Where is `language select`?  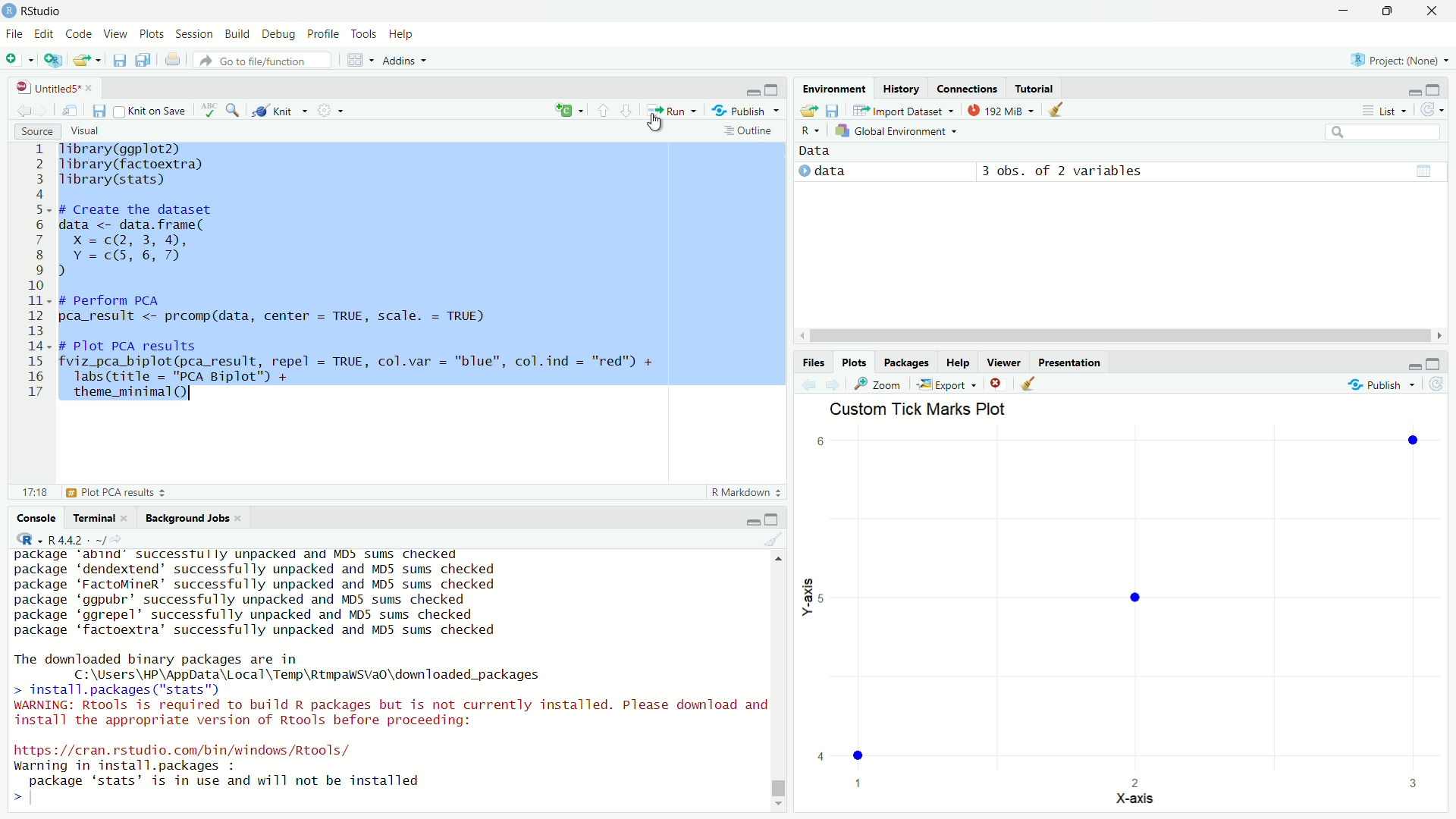 language select is located at coordinates (566, 111).